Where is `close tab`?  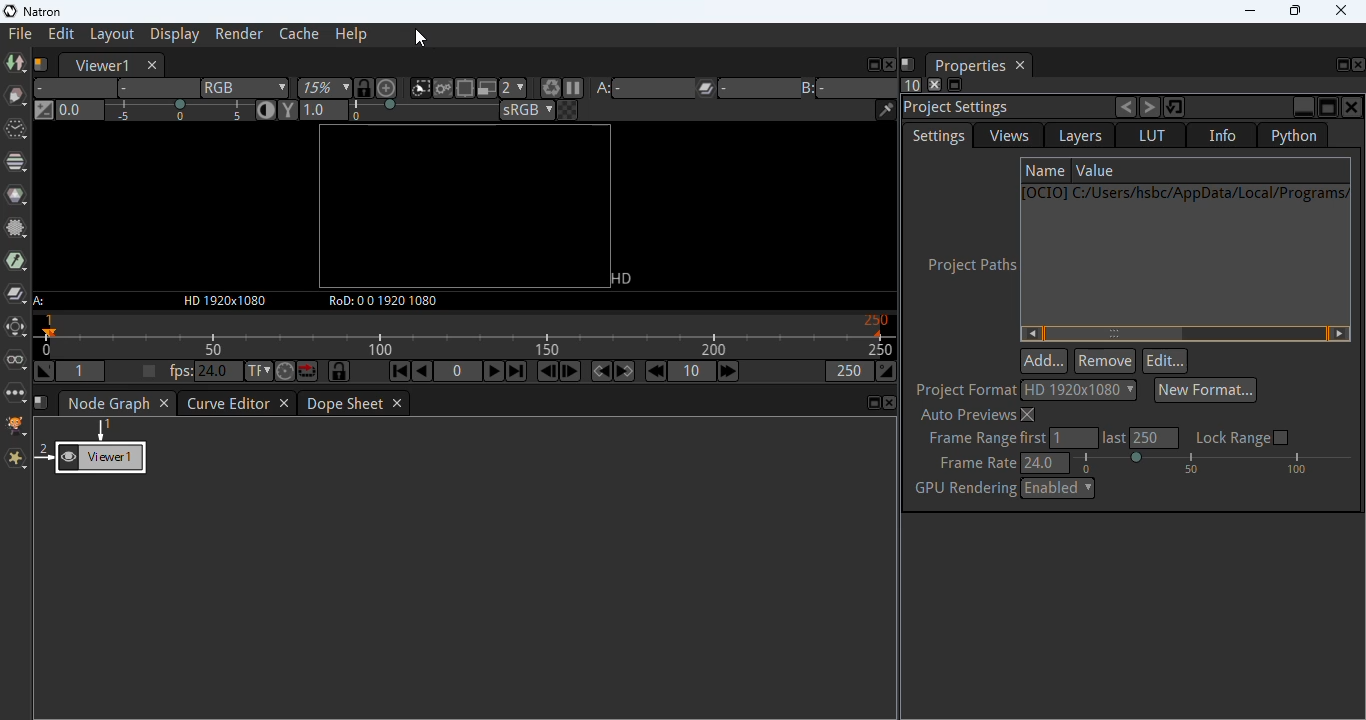
close tab is located at coordinates (398, 403).